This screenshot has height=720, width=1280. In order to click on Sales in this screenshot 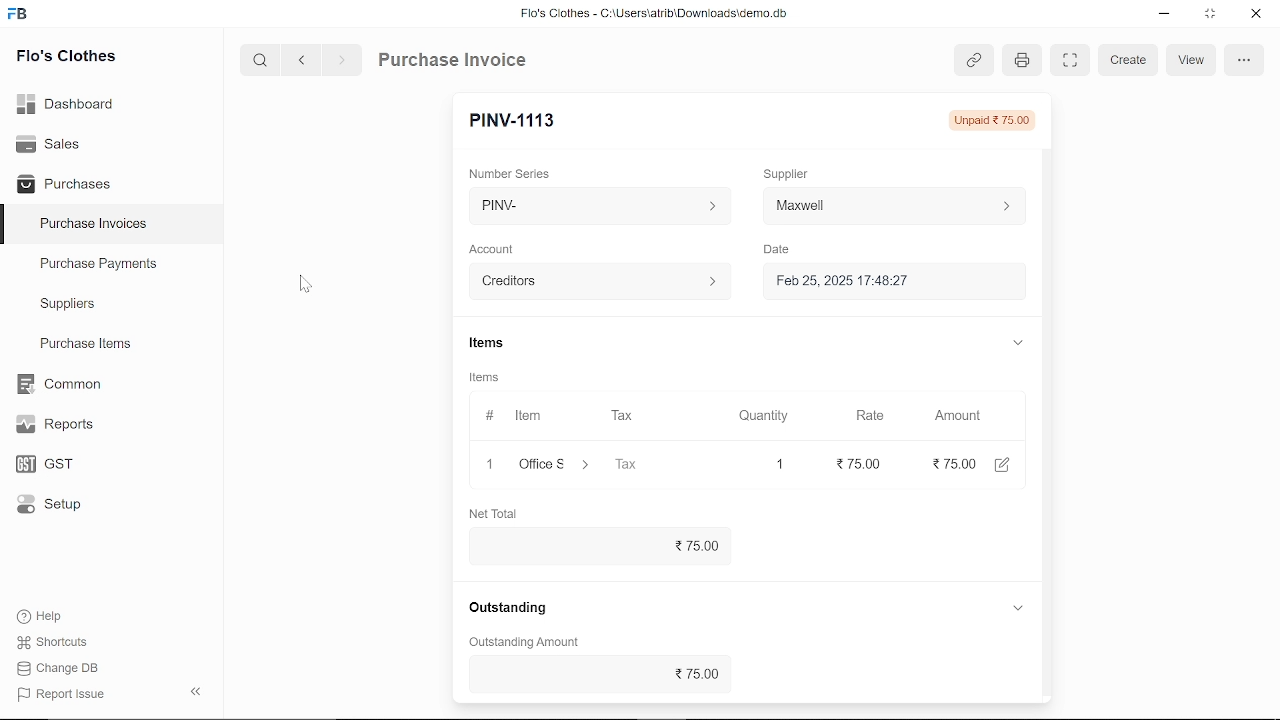, I will do `click(48, 142)`.